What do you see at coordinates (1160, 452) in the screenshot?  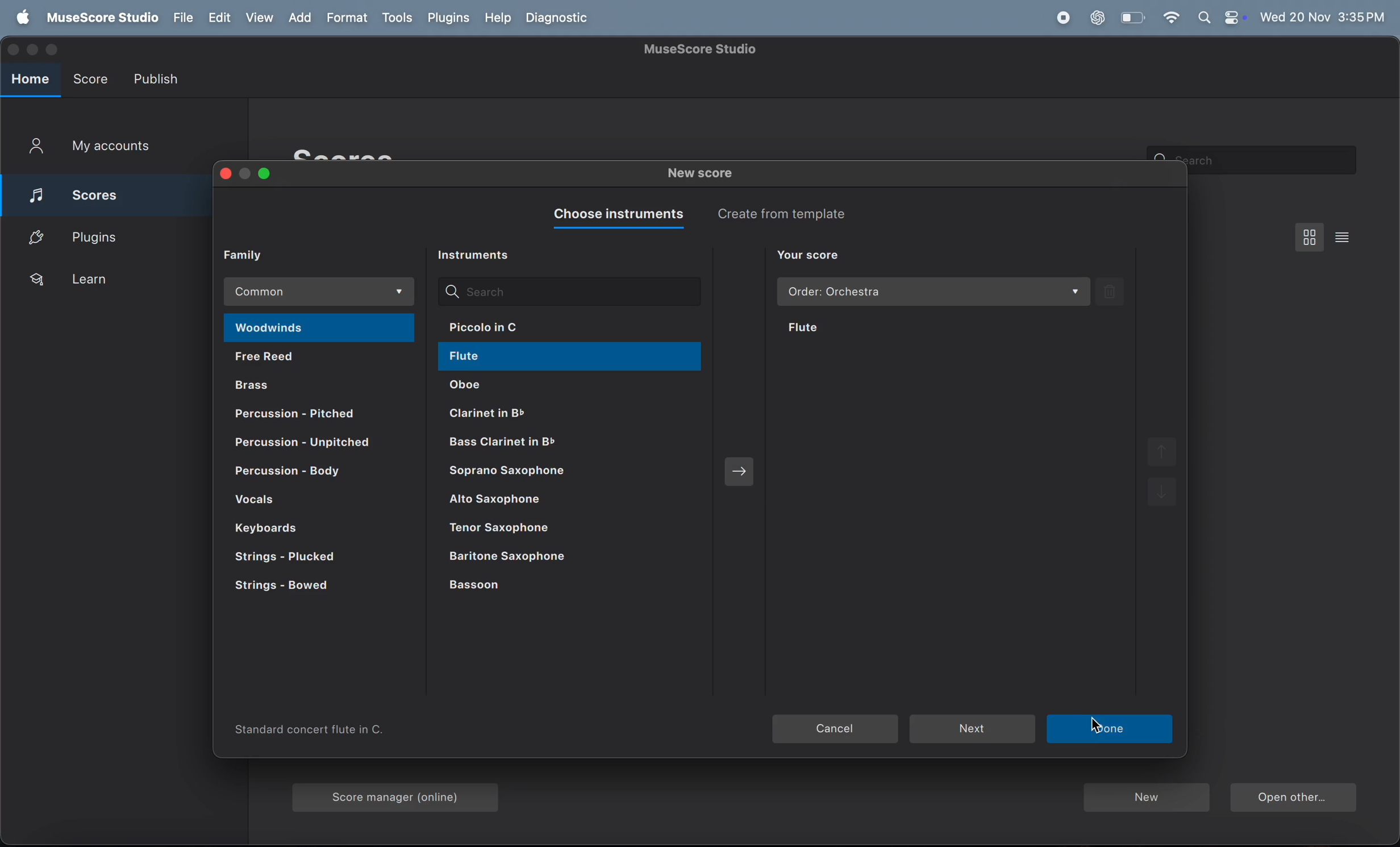 I see `up` at bounding box center [1160, 452].